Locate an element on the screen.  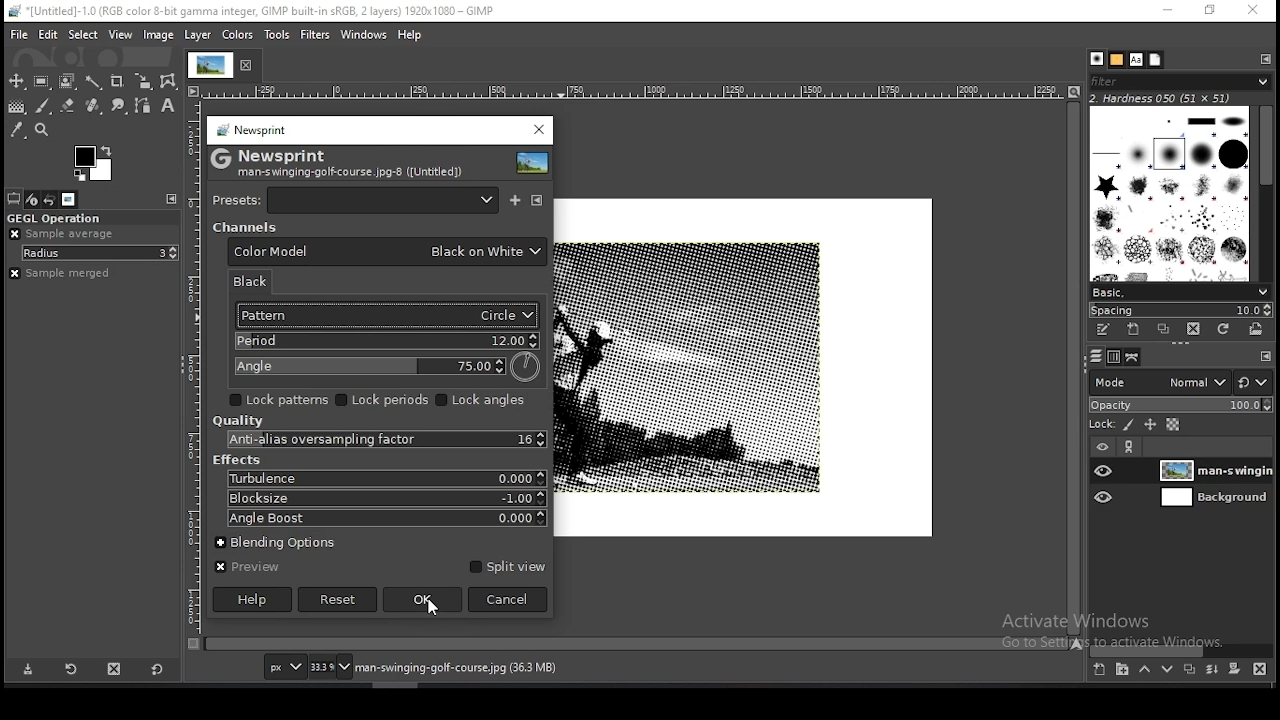
file is located at coordinates (16, 35).